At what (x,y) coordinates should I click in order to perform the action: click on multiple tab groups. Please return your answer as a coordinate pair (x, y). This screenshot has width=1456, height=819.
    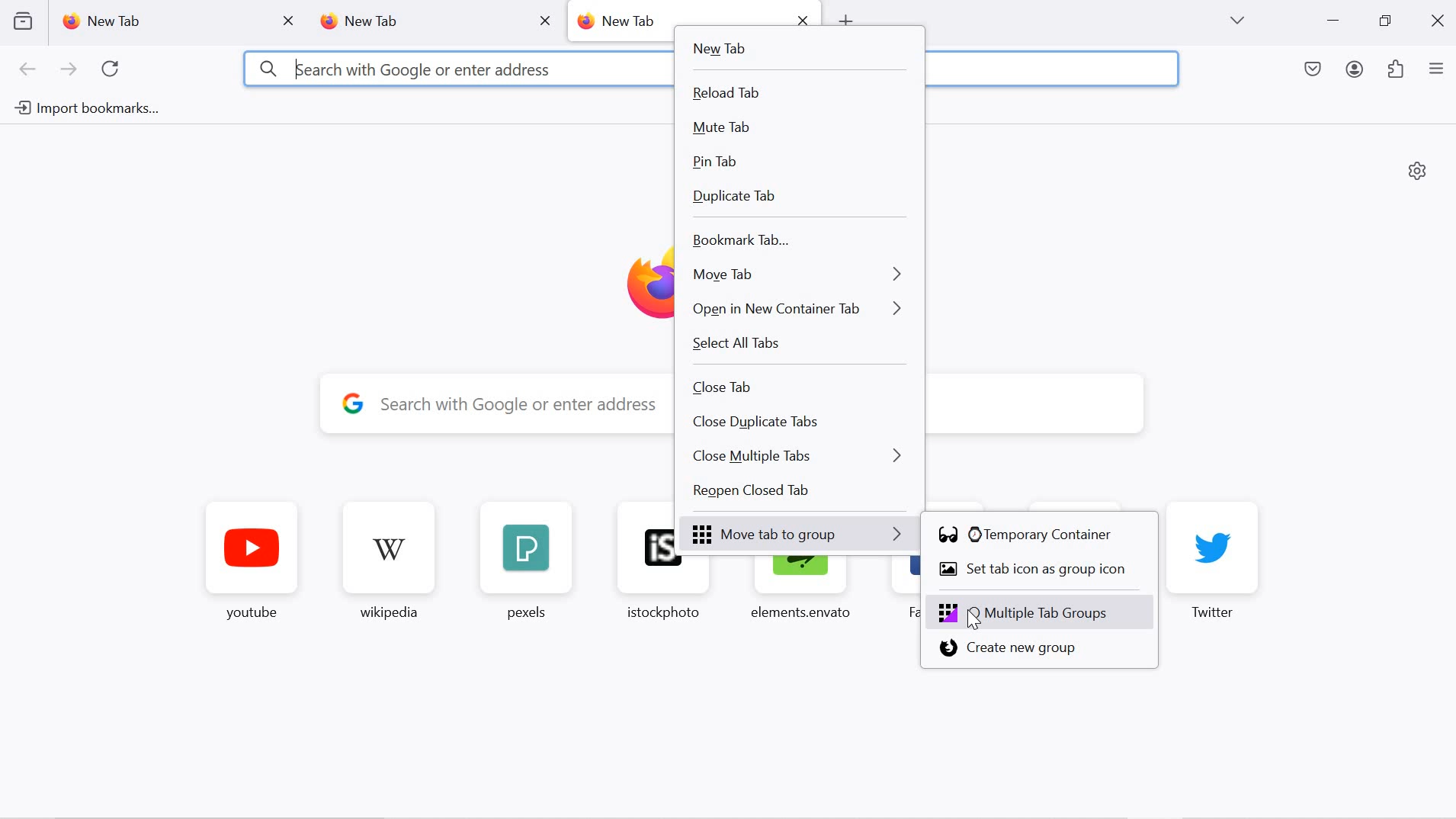
    Looking at the image, I should click on (1041, 612).